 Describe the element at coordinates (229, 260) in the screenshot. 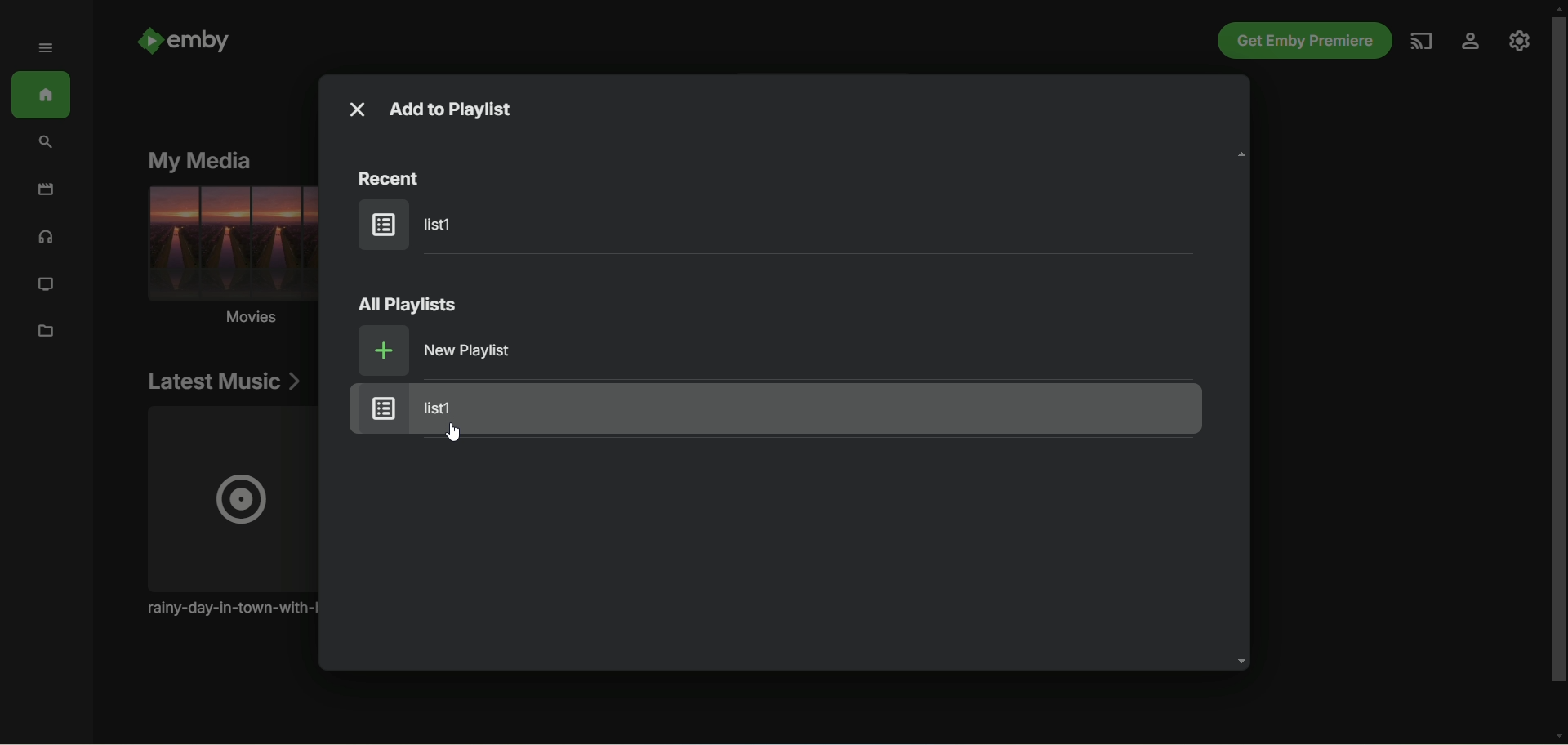

I see `movies` at that location.